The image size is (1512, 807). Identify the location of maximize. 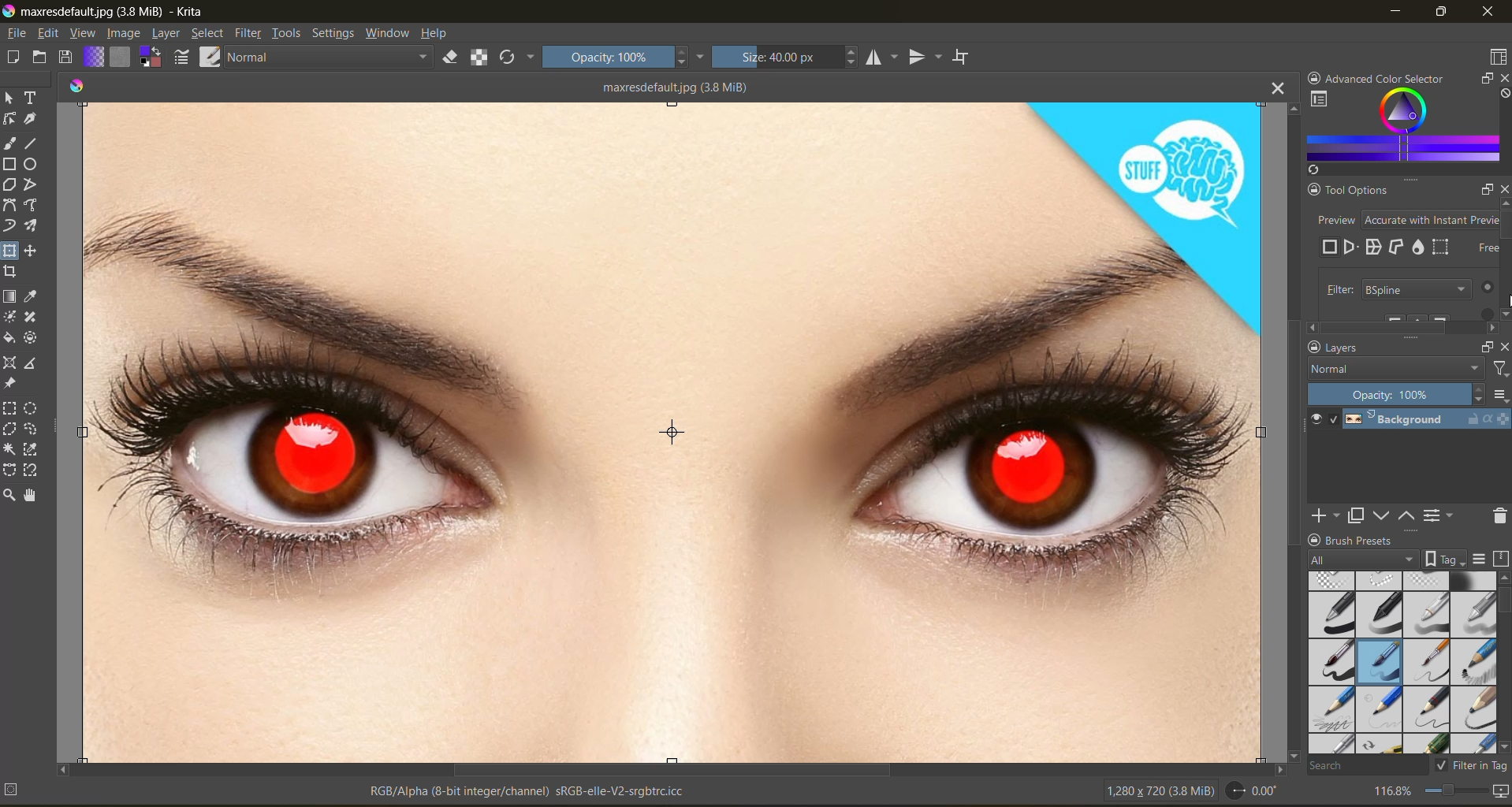
(1448, 14).